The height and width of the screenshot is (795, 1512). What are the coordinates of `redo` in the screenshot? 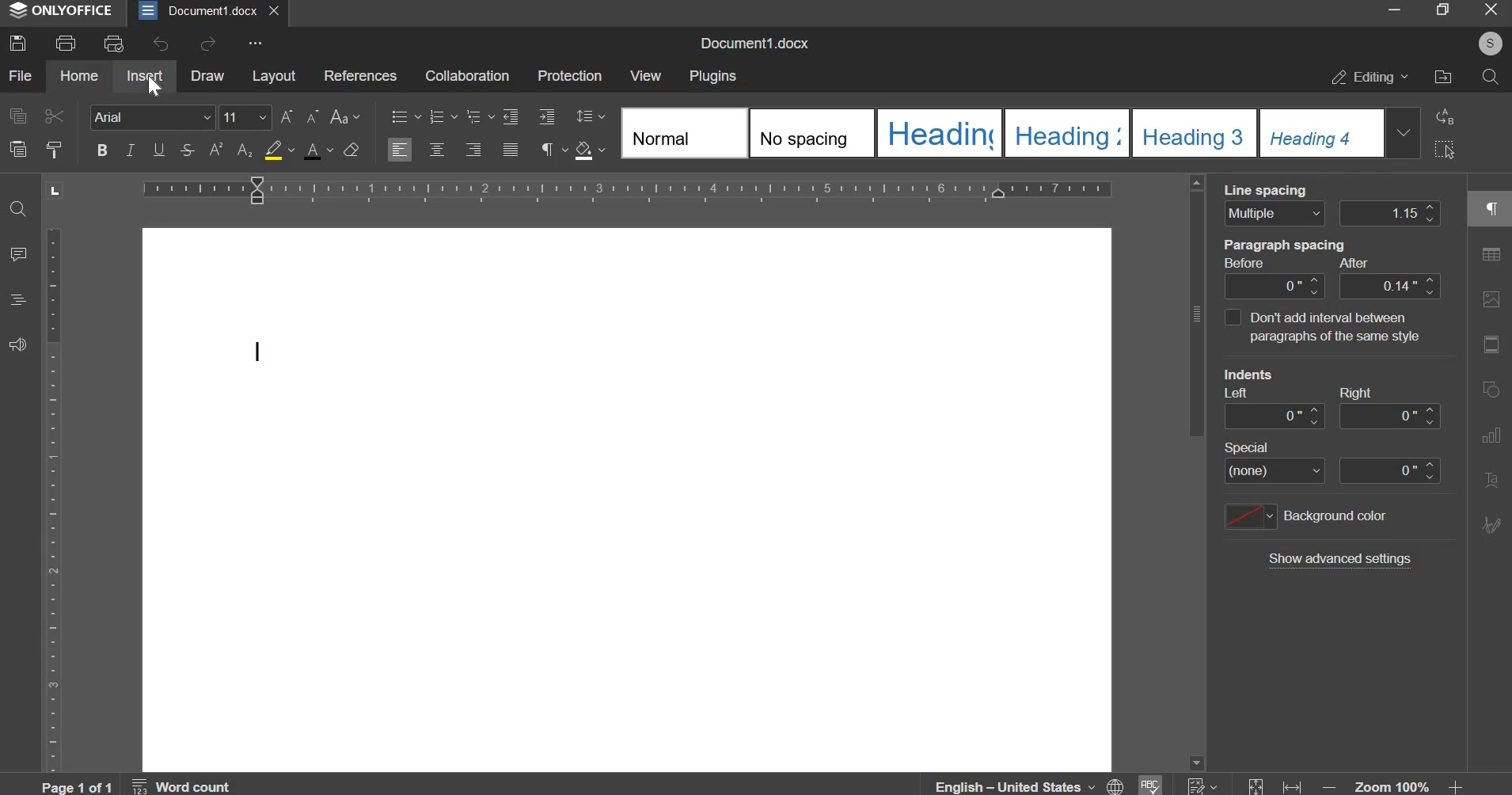 It's located at (208, 44).